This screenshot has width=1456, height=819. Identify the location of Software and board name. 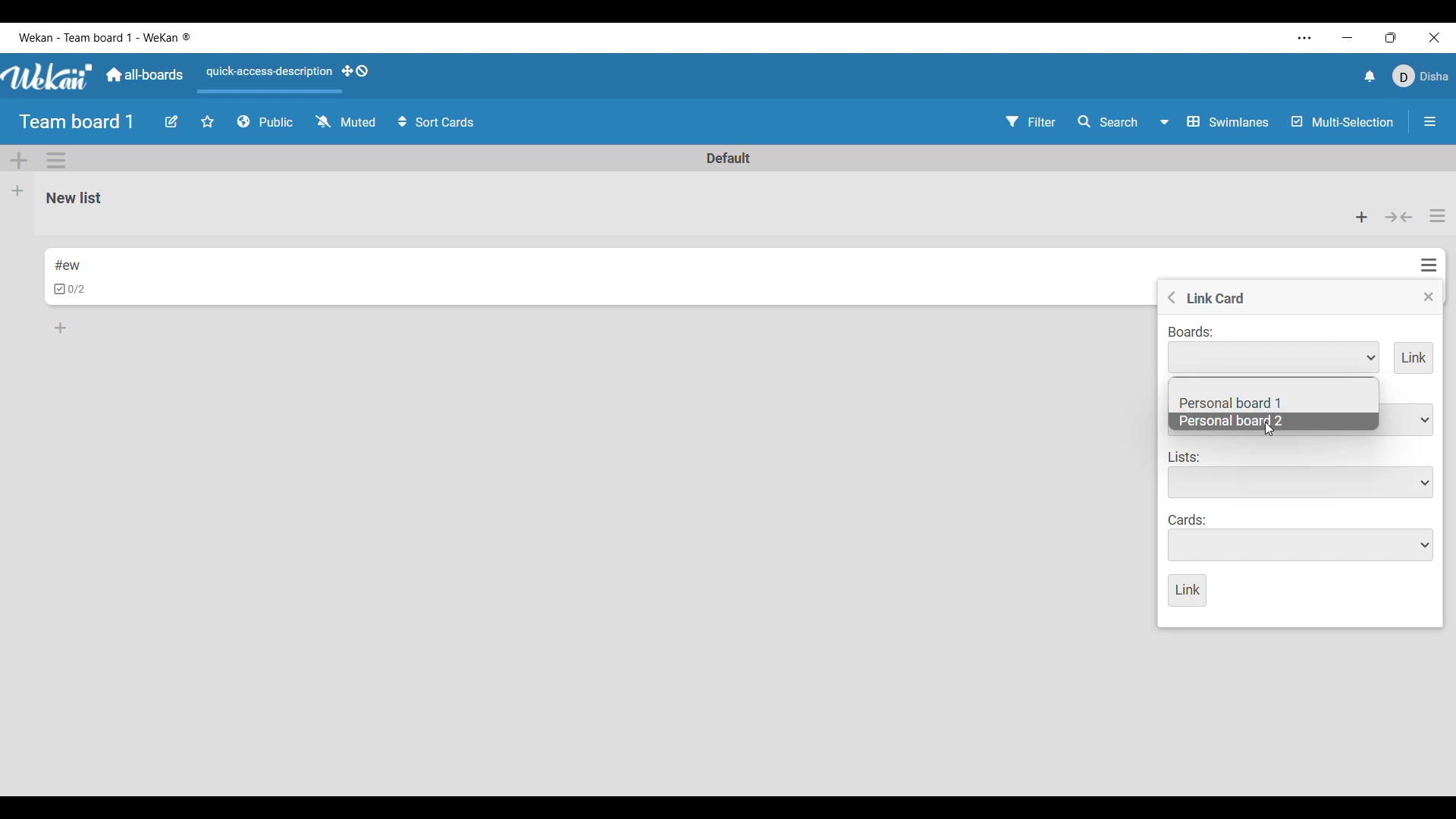
(105, 37).